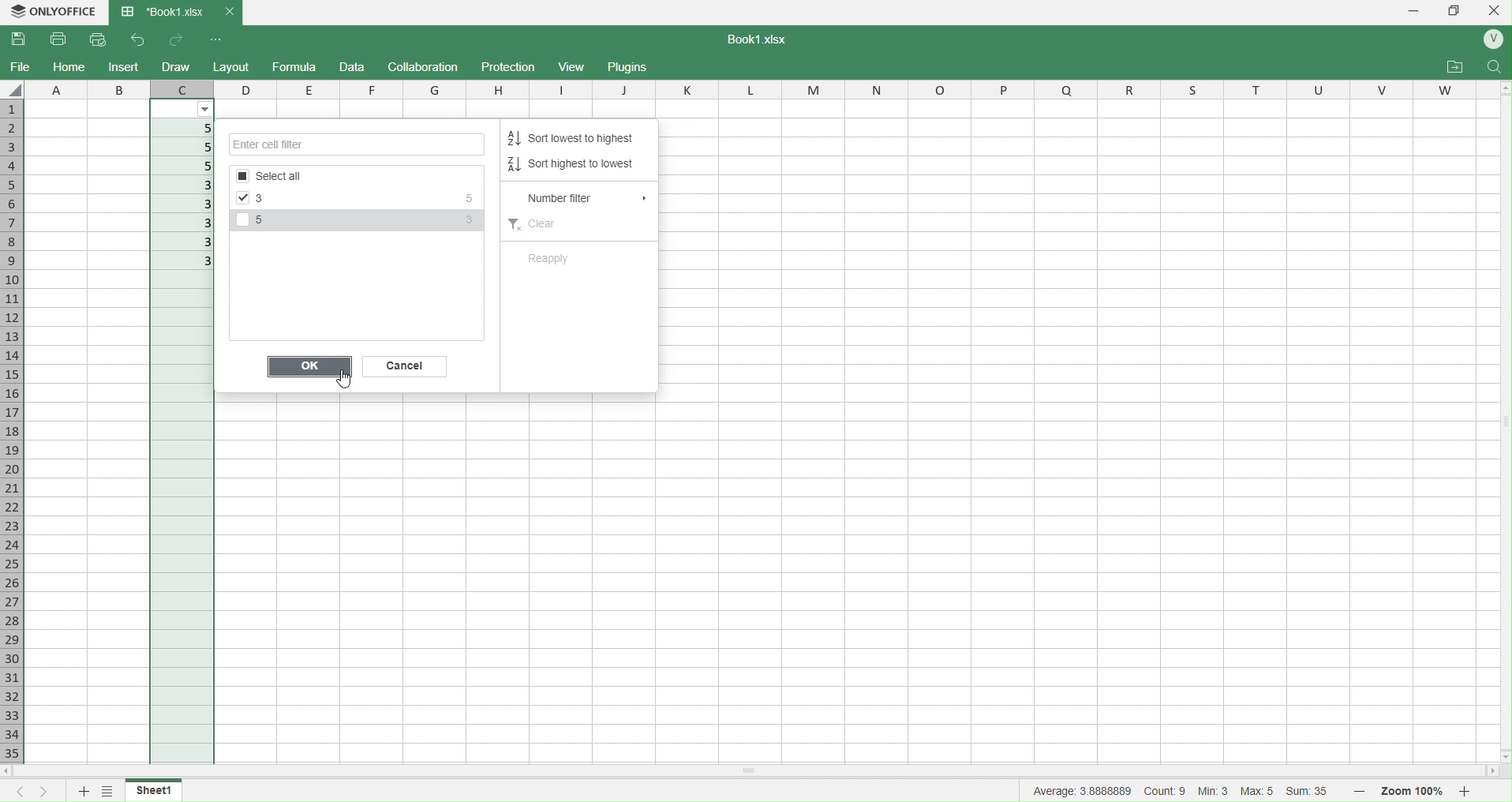  I want to click on 3, so click(187, 262).